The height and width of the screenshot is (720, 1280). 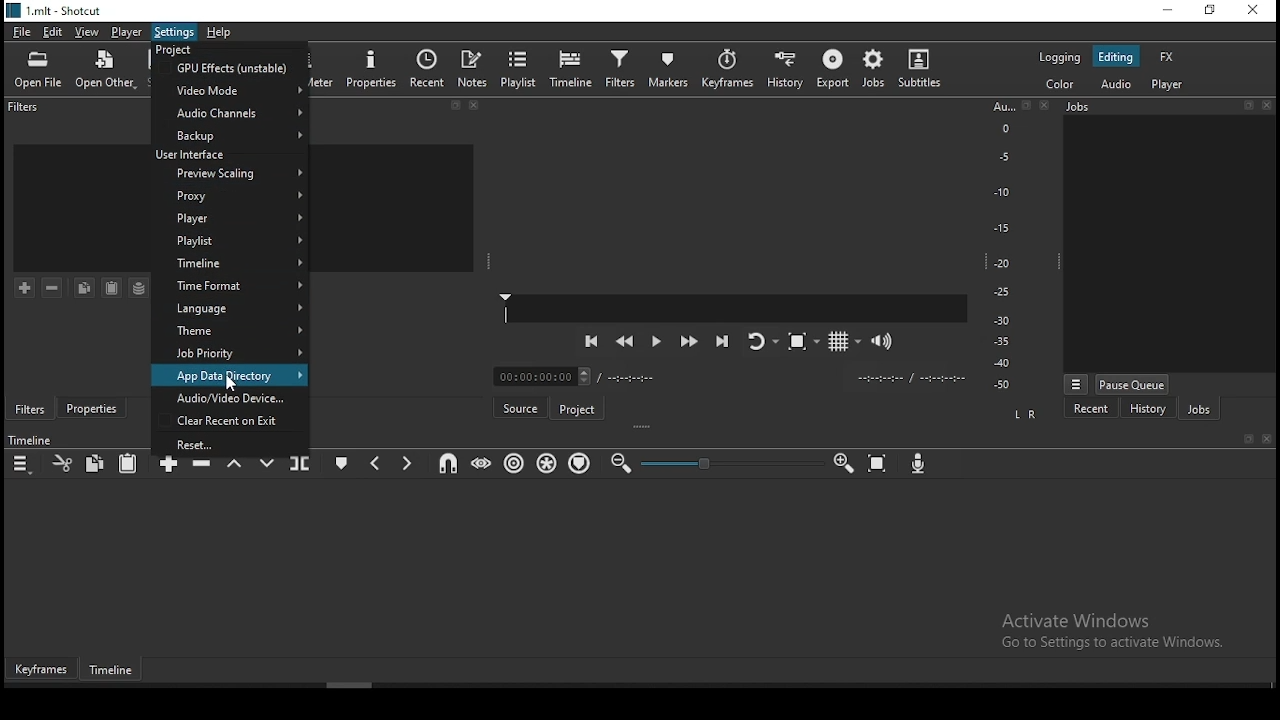 What do you see at coordinates (1269, 104) in the screenshot?
I see `close` at bounding box center [1269, 104].